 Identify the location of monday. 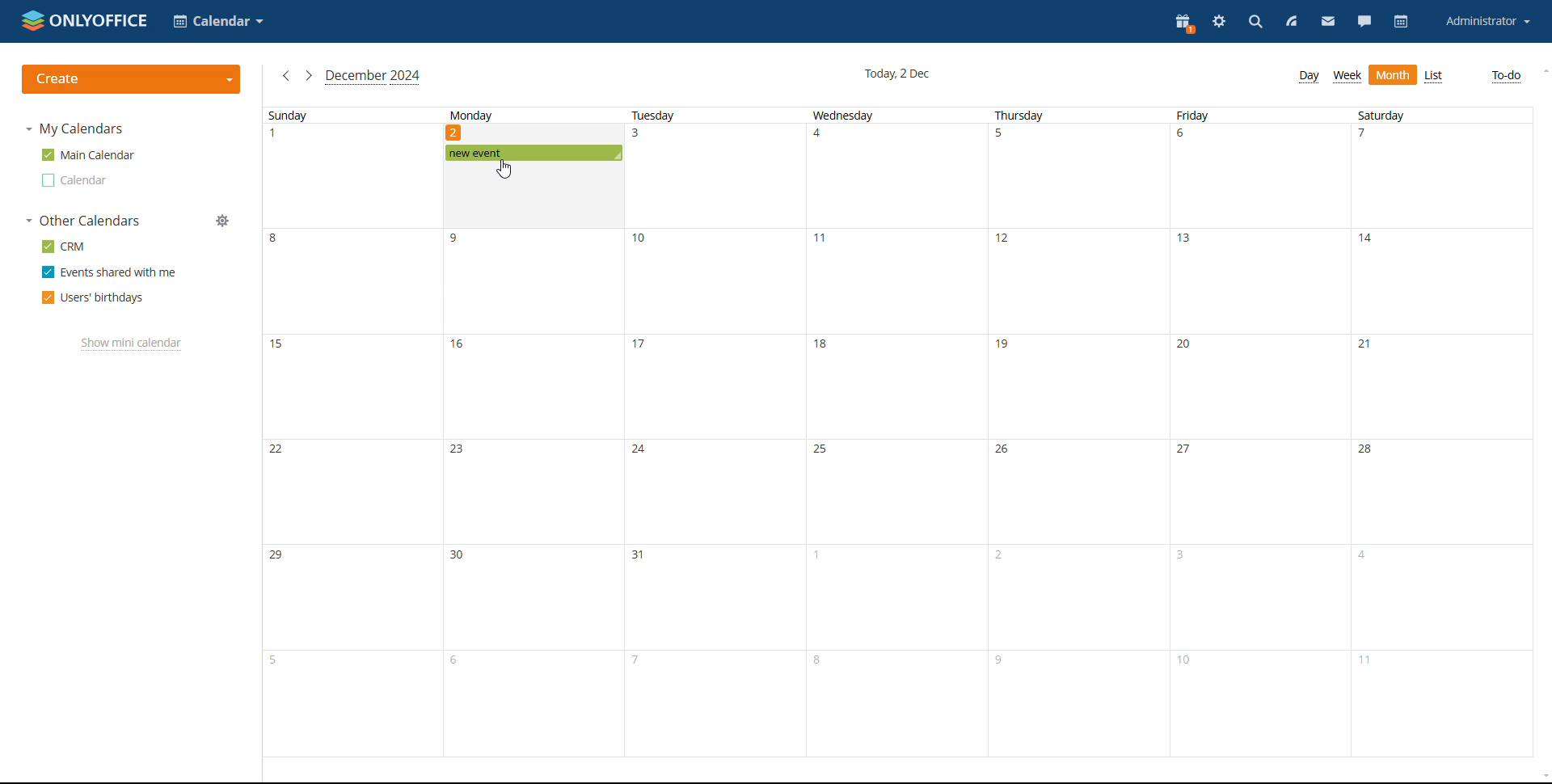
(533, 461).